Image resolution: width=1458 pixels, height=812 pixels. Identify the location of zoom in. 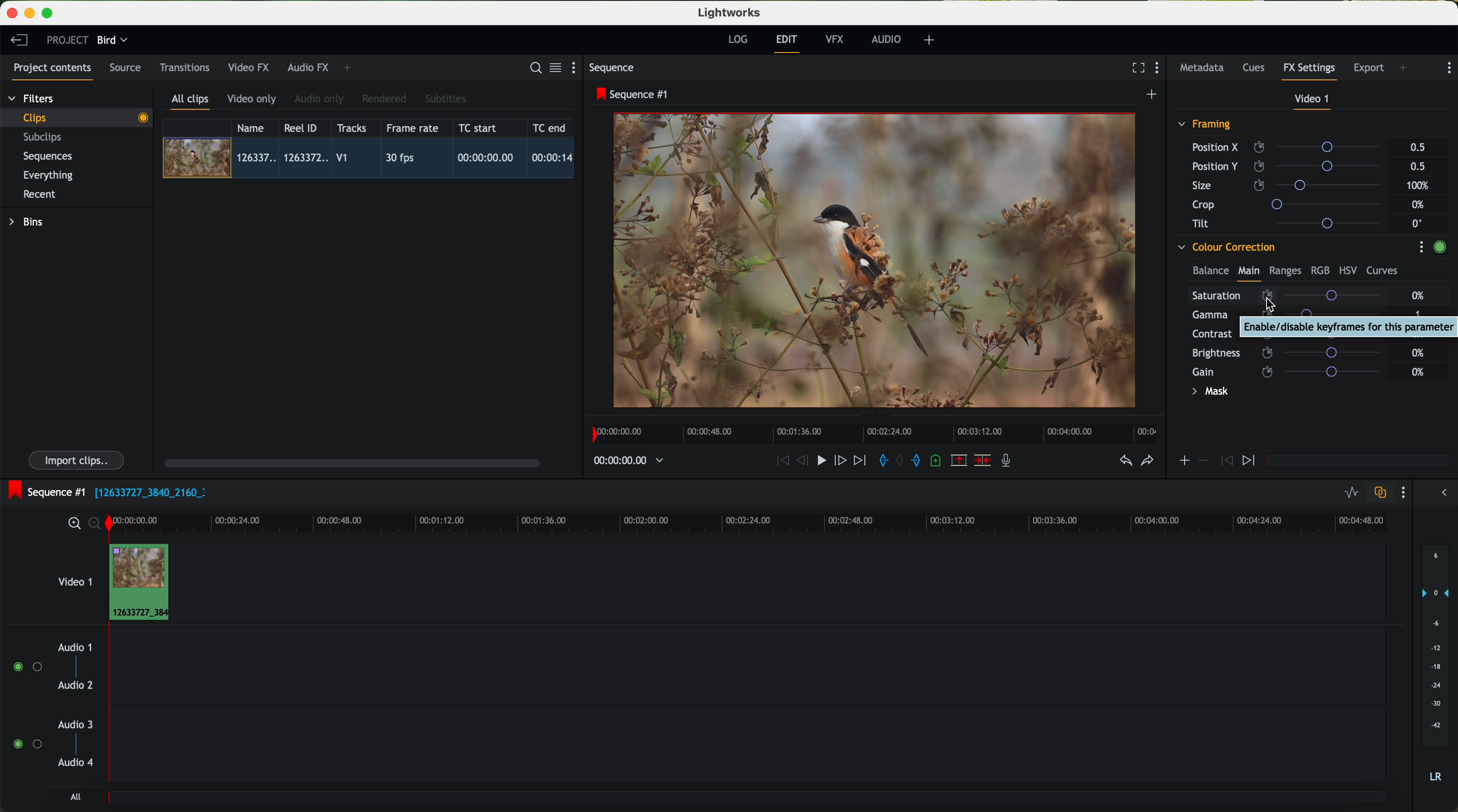
(72, 524).